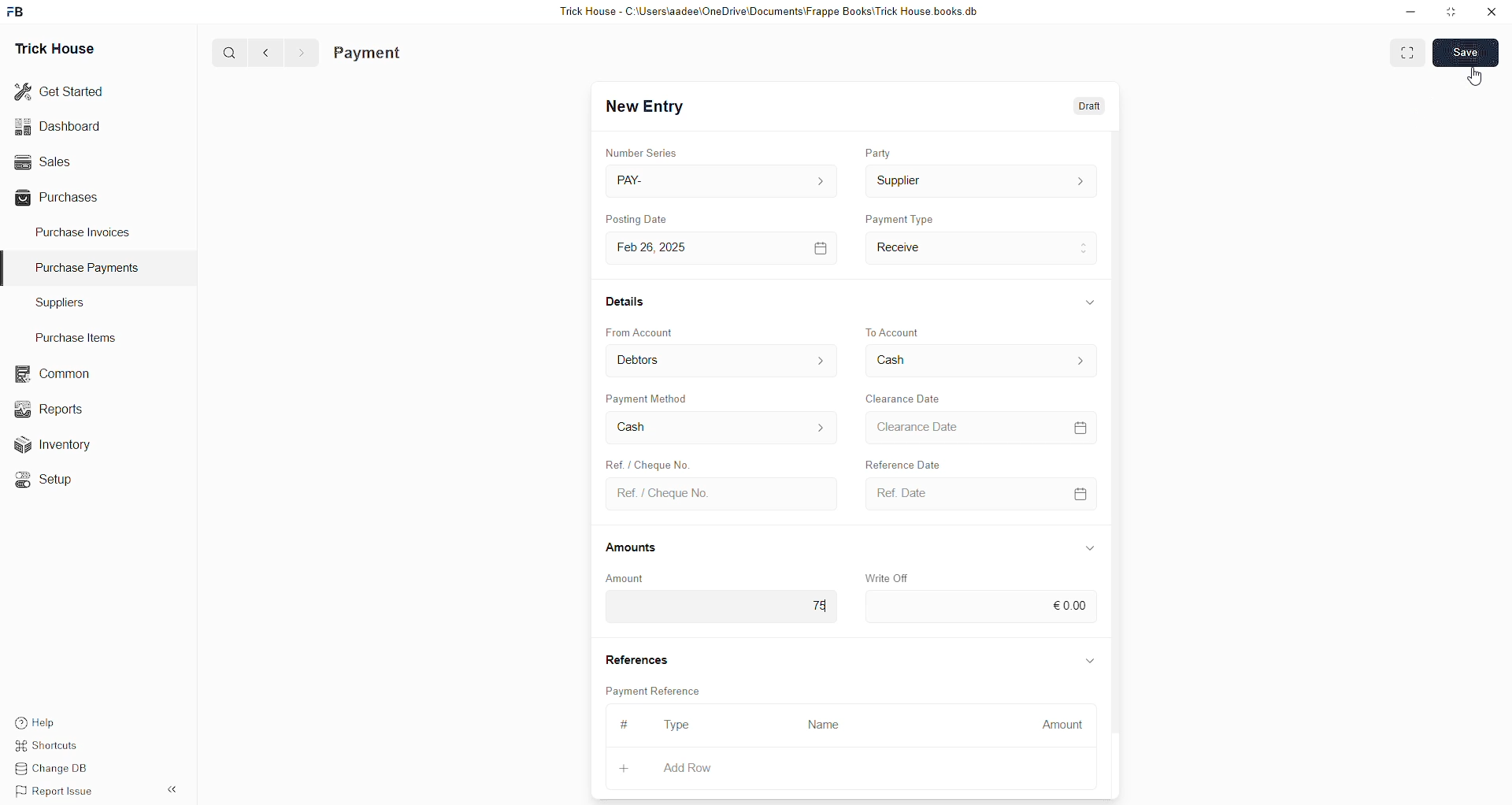 This screenshot has width=1512, height=805. I want to click on Setup, so click(43, 478).